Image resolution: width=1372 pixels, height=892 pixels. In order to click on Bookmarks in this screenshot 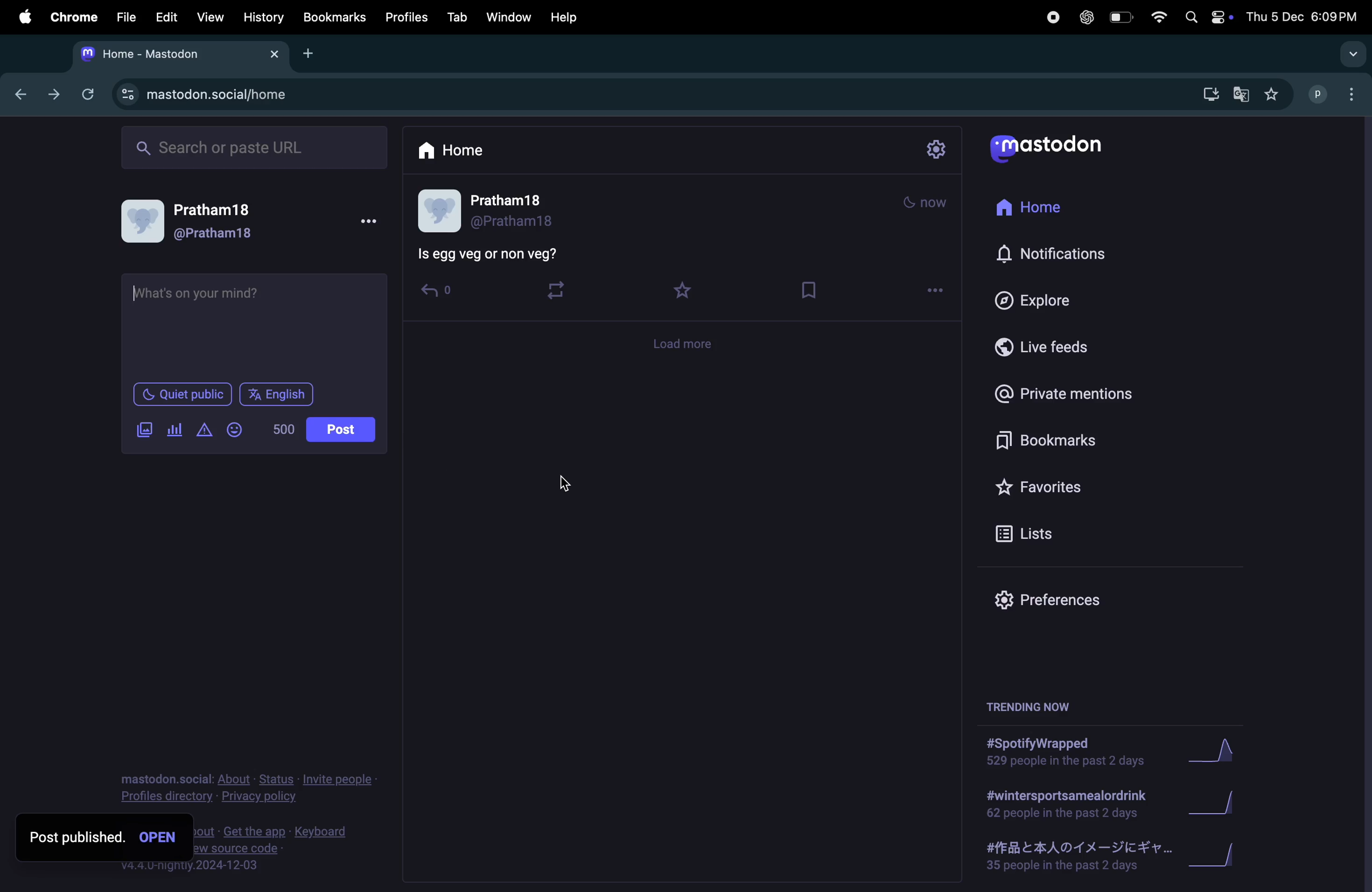, I will do `click(334, 17)`.